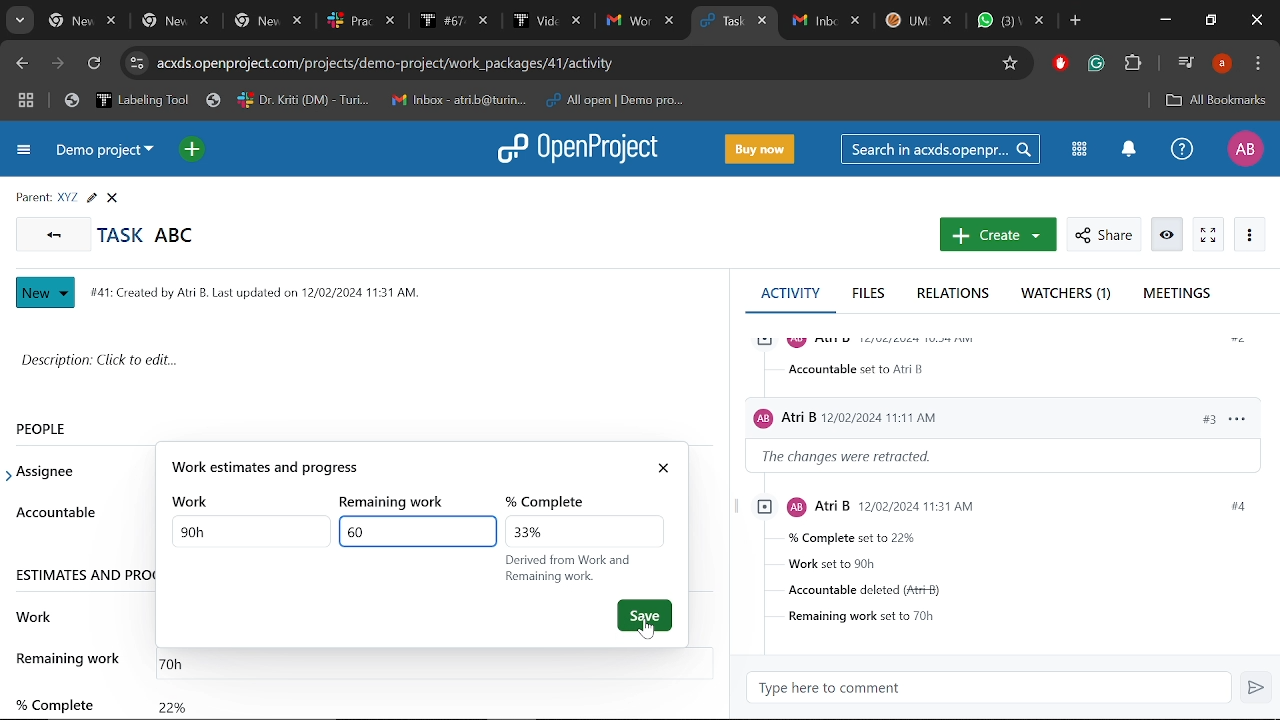  Describe the element at coordinates (953, 295) in the screenshot. I see `Relations` at that location.